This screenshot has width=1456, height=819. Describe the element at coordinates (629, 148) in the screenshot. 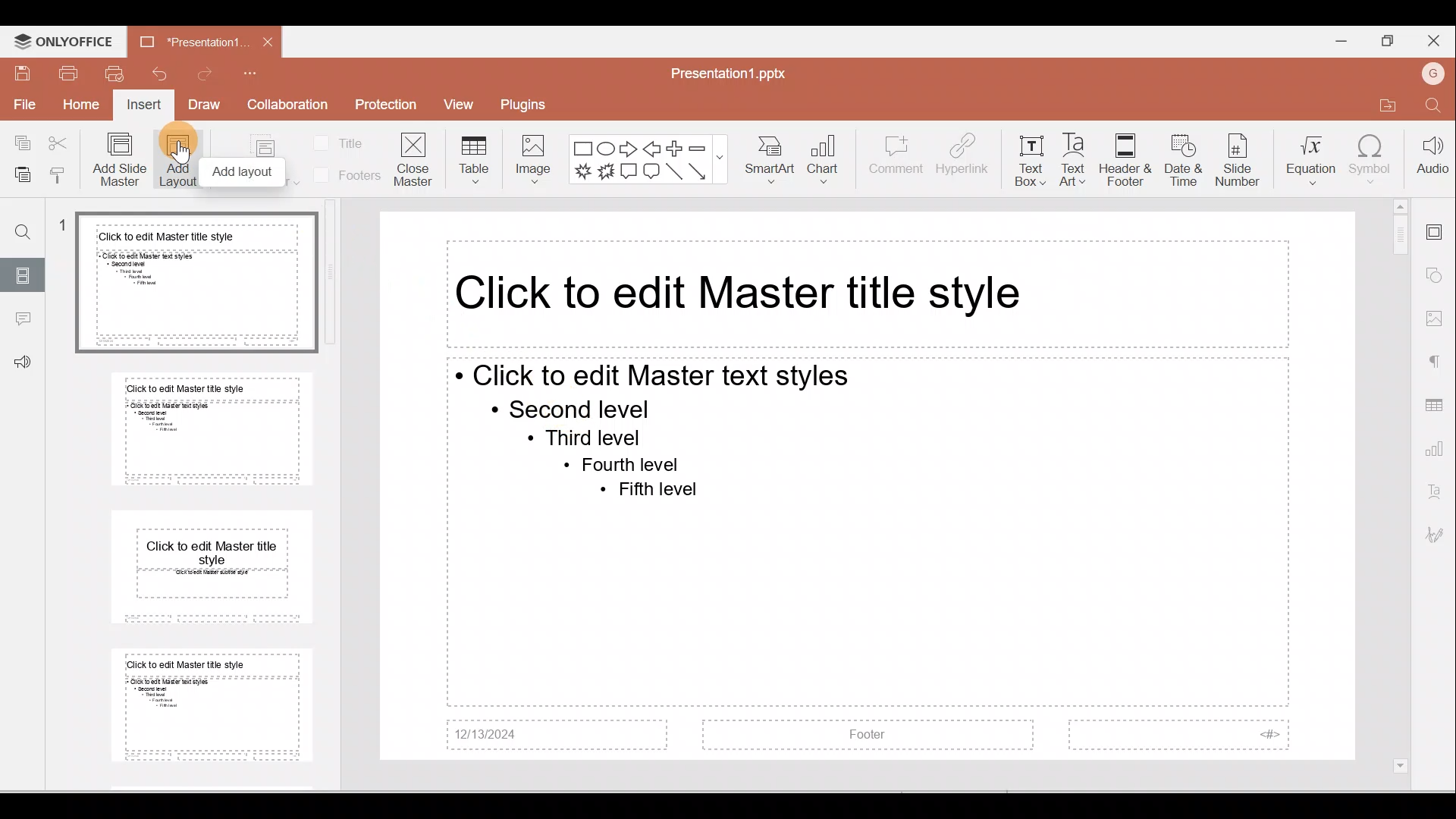

I see `Right arrow` at that location.